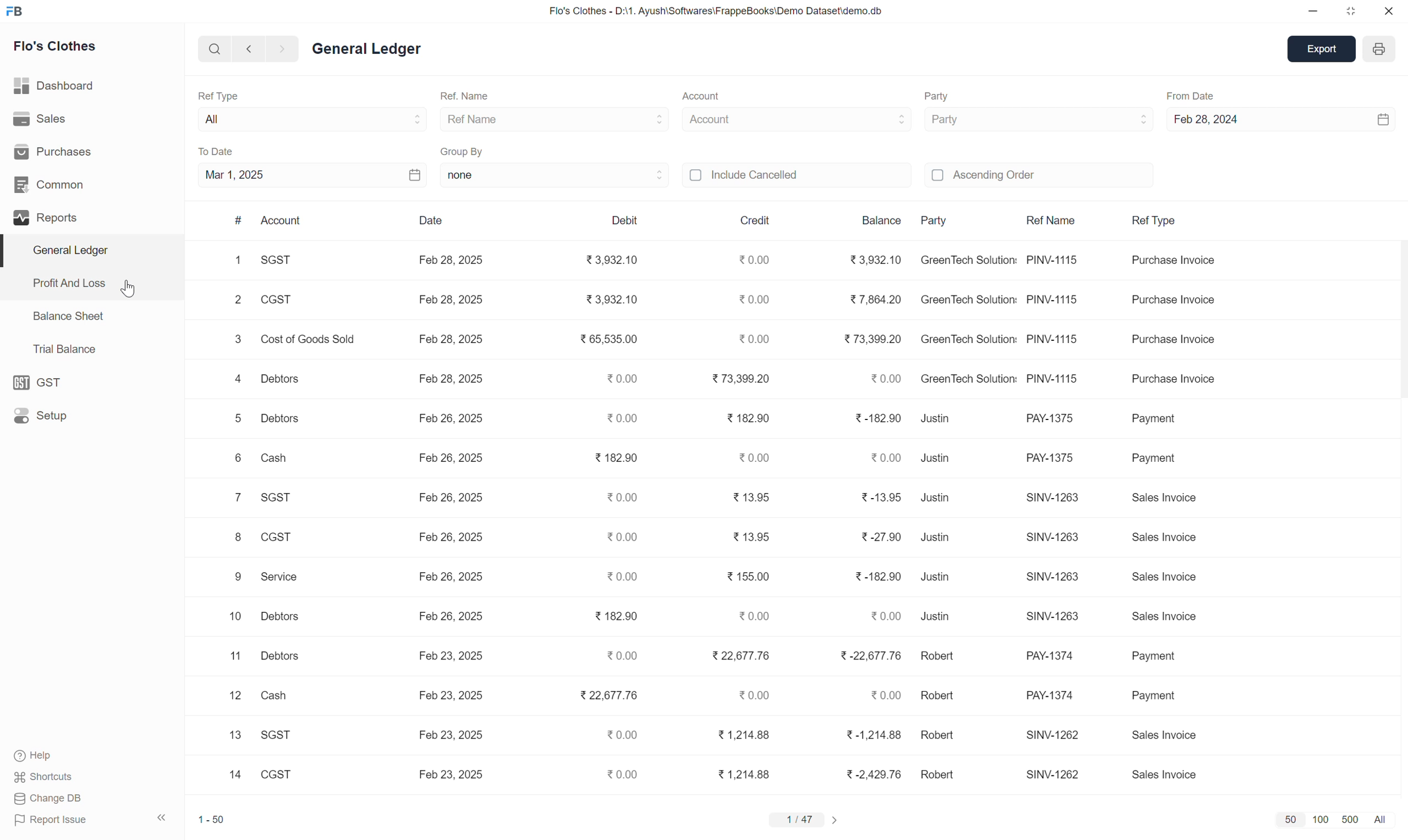  What do you see at coordinates (93, 820) in the screenshot?
I see `Report Issue «` at bounding box center [93, 820].